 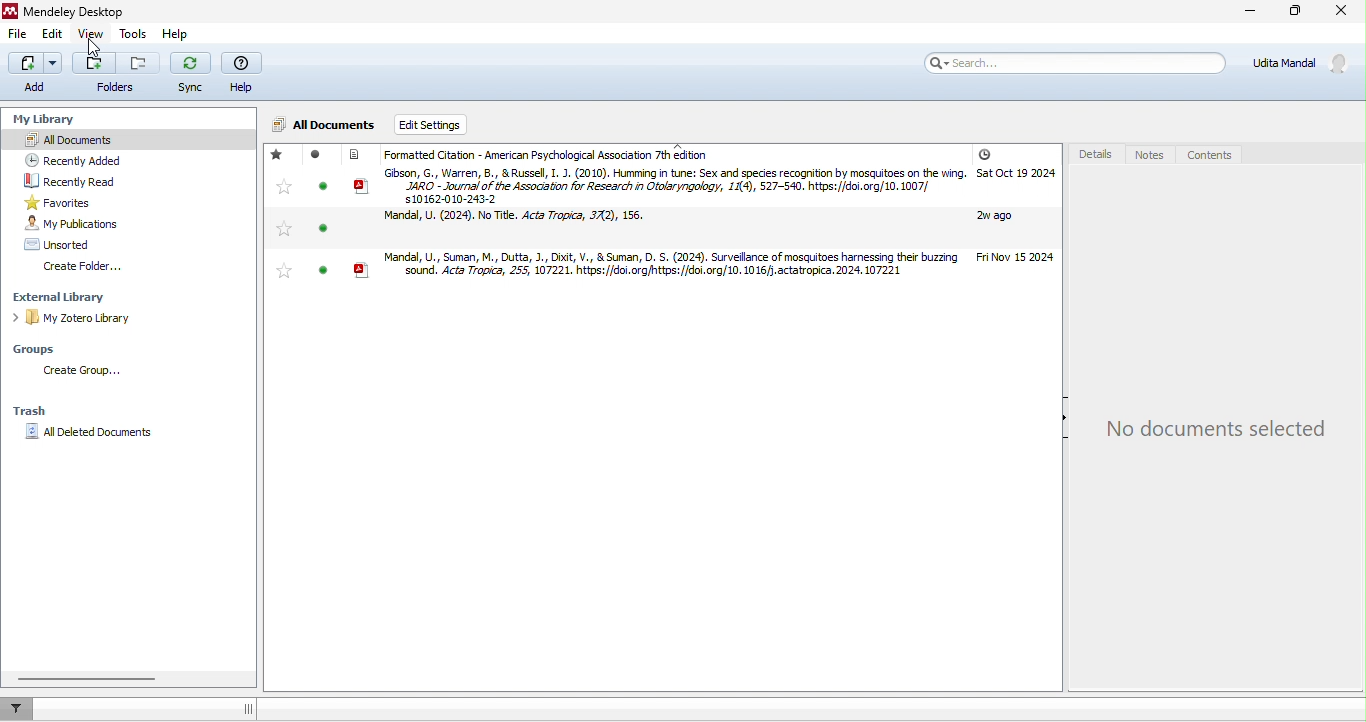 What do you see at coordinates (639, 218) in the screenshot?
I see `FUSISURPN SUN (ERG PUR RTUN Ss S—

Gbson, G., Warren, B., & Russel, 1. 3. (2010). Humming in tune: Sex and speces recognition by moscutoes on the wing.
JARO - Journal of the Assoc bon for Research in Otolaryngology, 119), 527-540. hitps: jdolorg/10. 1007]
5101620102432

Mandal, U. (2024). No Tie. Acta Tropica, 342), 156.

Mandal, U., Suman, M., Dutta, J., Dot, V., & Suman, D. S. (2024). Survedlance of mosquitoes hamessing ther buzzng
‘sound. Acta Tropica, 255, 107221. https: jdoi.org https: doi org/0. 1016) actatropsca. 2024, 107221` at bounding box center [639, 218].